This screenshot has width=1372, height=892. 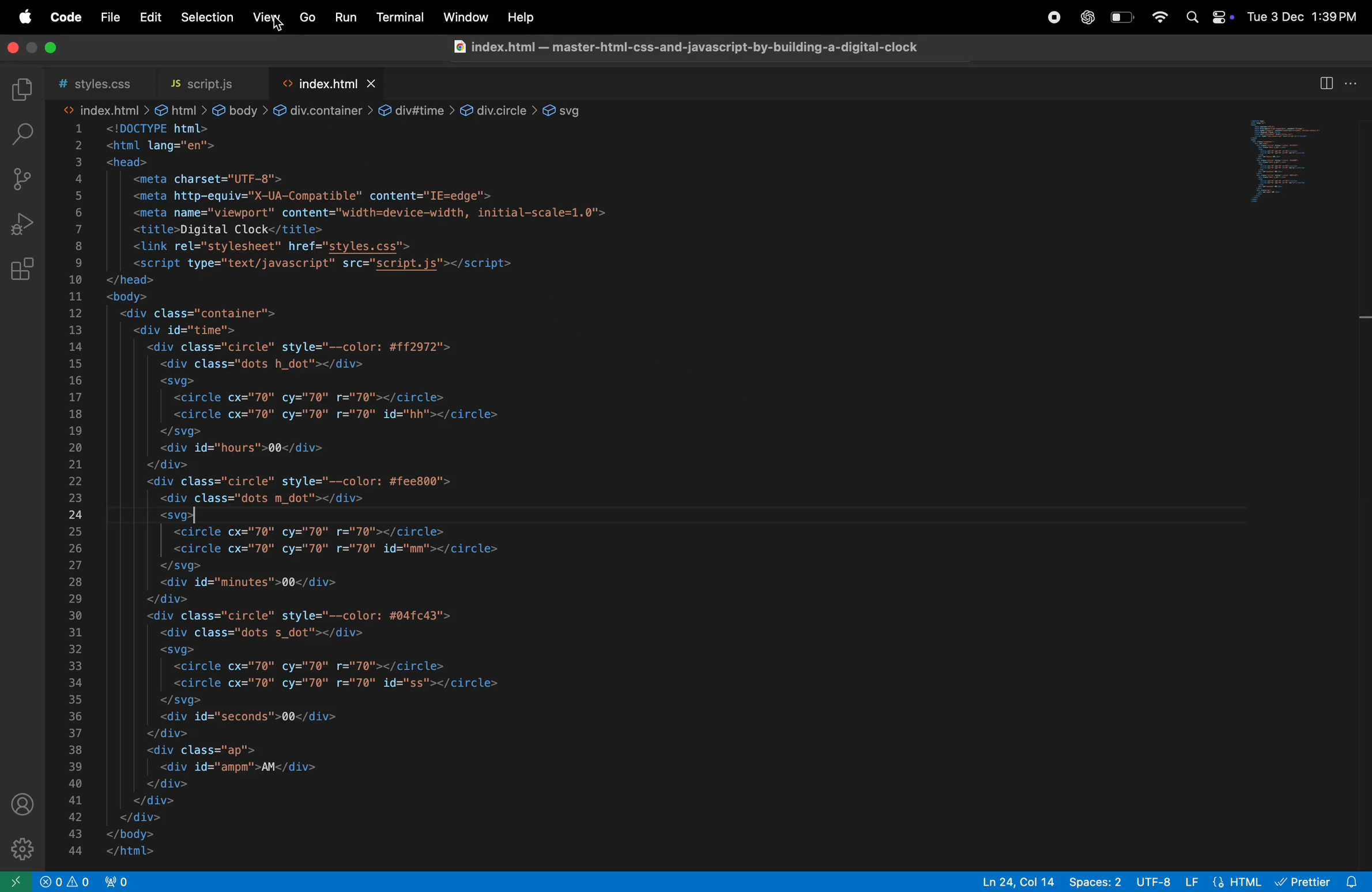 I want to click on go, so click(x=307, y=19).